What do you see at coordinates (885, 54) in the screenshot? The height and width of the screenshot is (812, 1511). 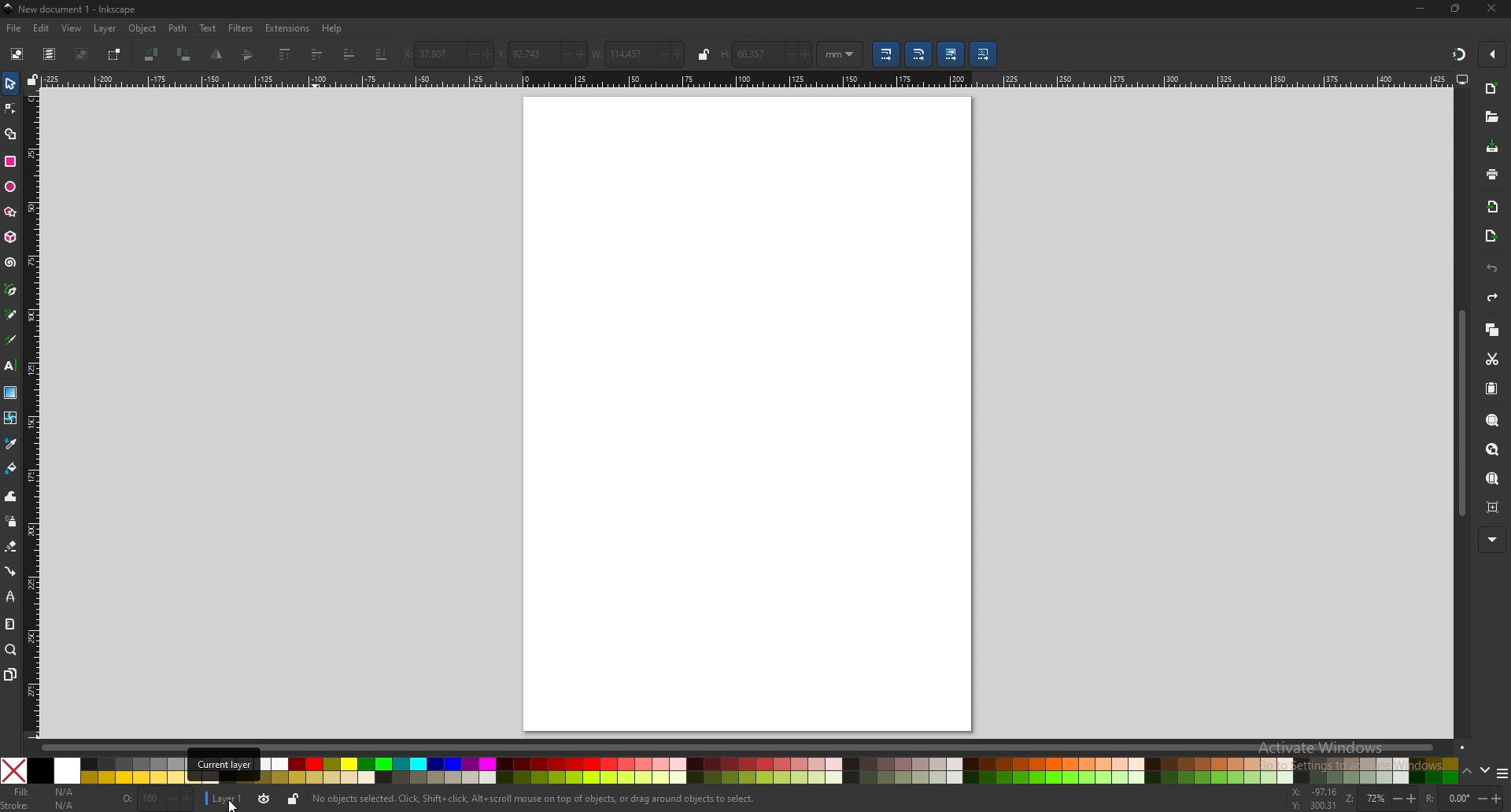 I see `scale stroke width` at bounding box center [885, 54].